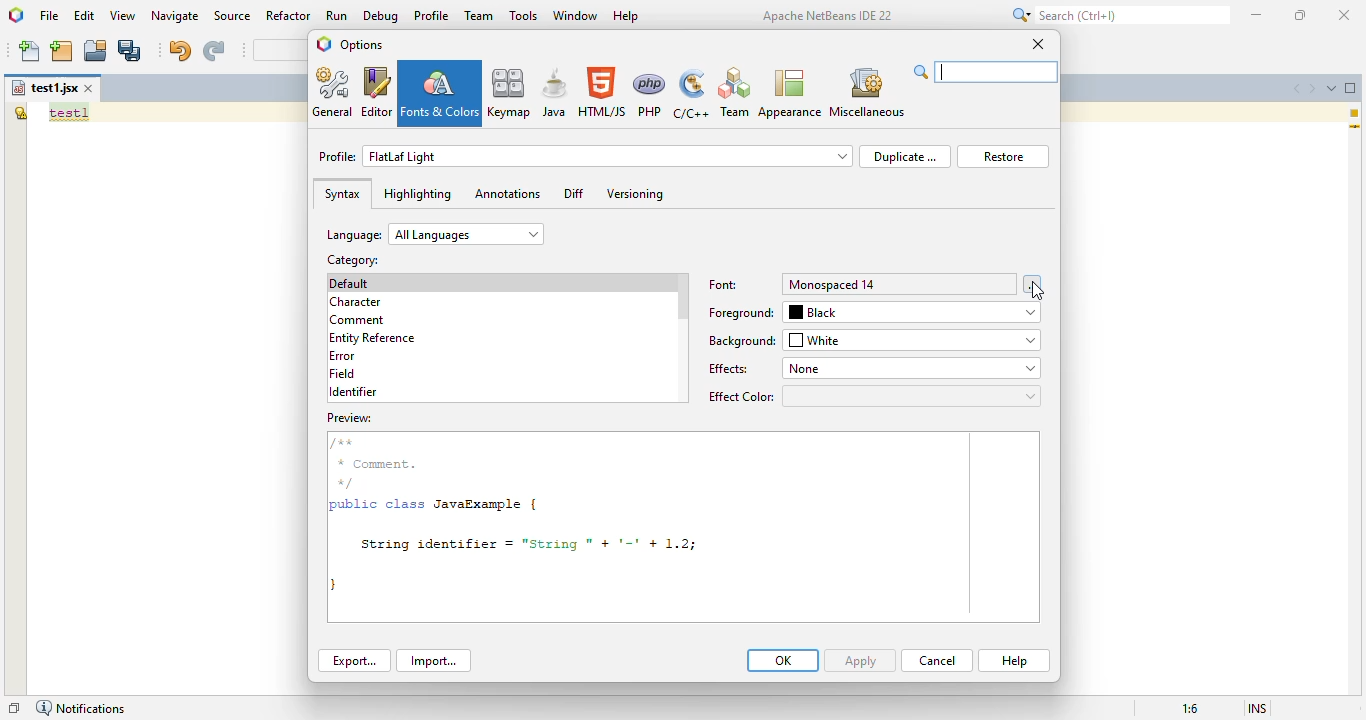 The height and width of the screenshot is (720, 1366). I want to click on redo, so click(213, 51).